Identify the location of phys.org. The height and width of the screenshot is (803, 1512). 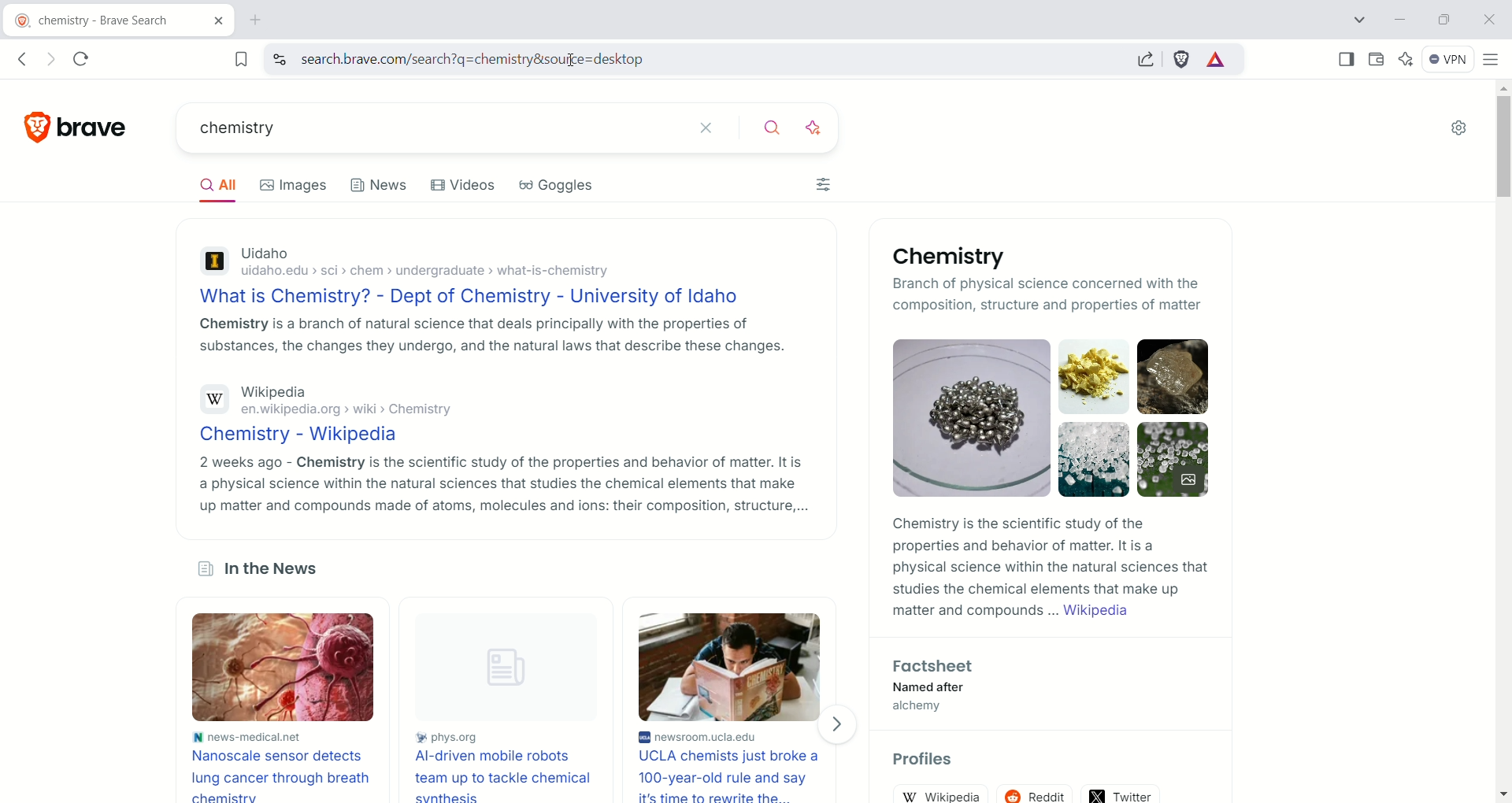
(513, 738).